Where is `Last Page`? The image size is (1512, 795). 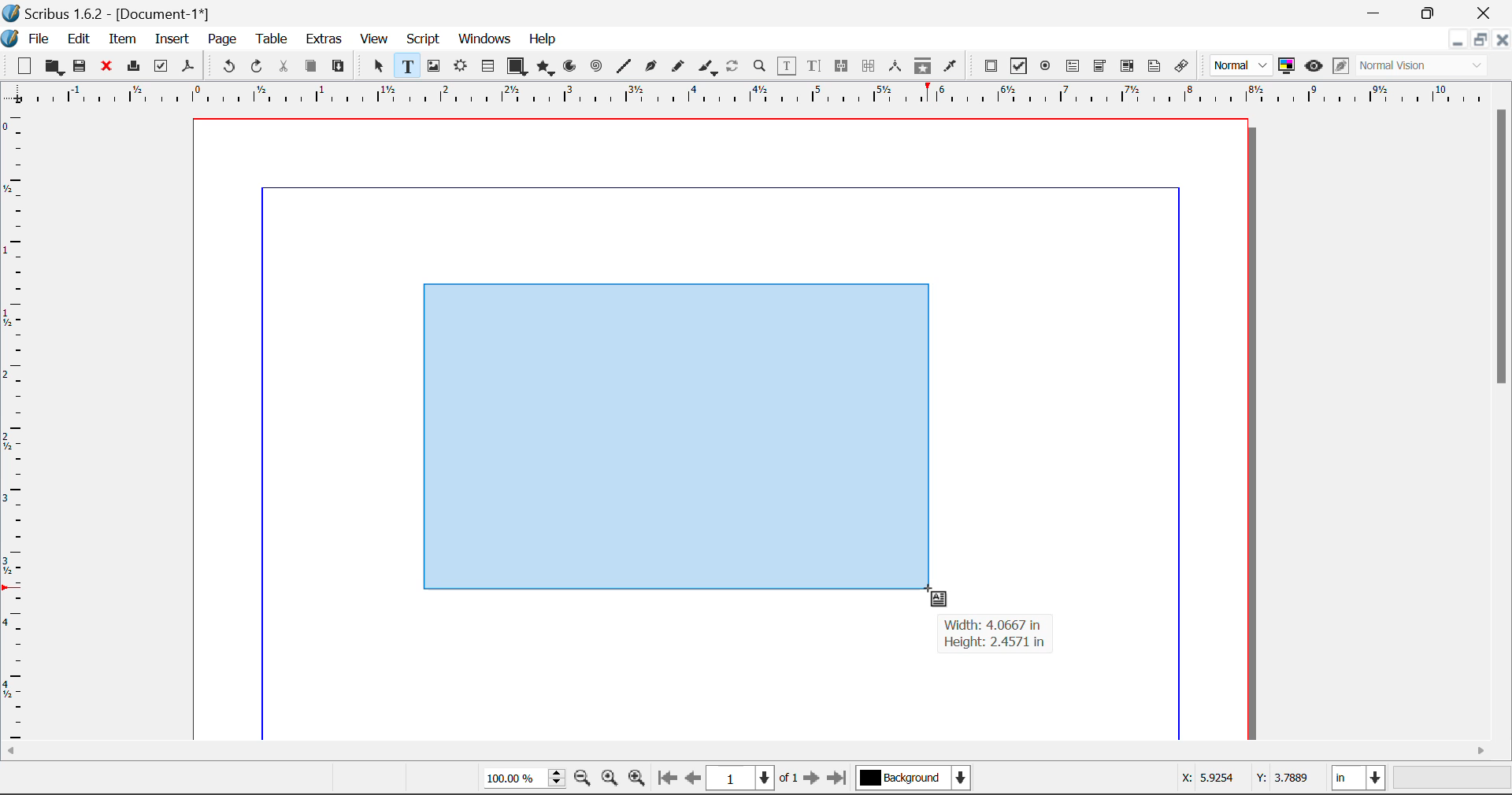
Last Page is located at coordinates (839, 780).